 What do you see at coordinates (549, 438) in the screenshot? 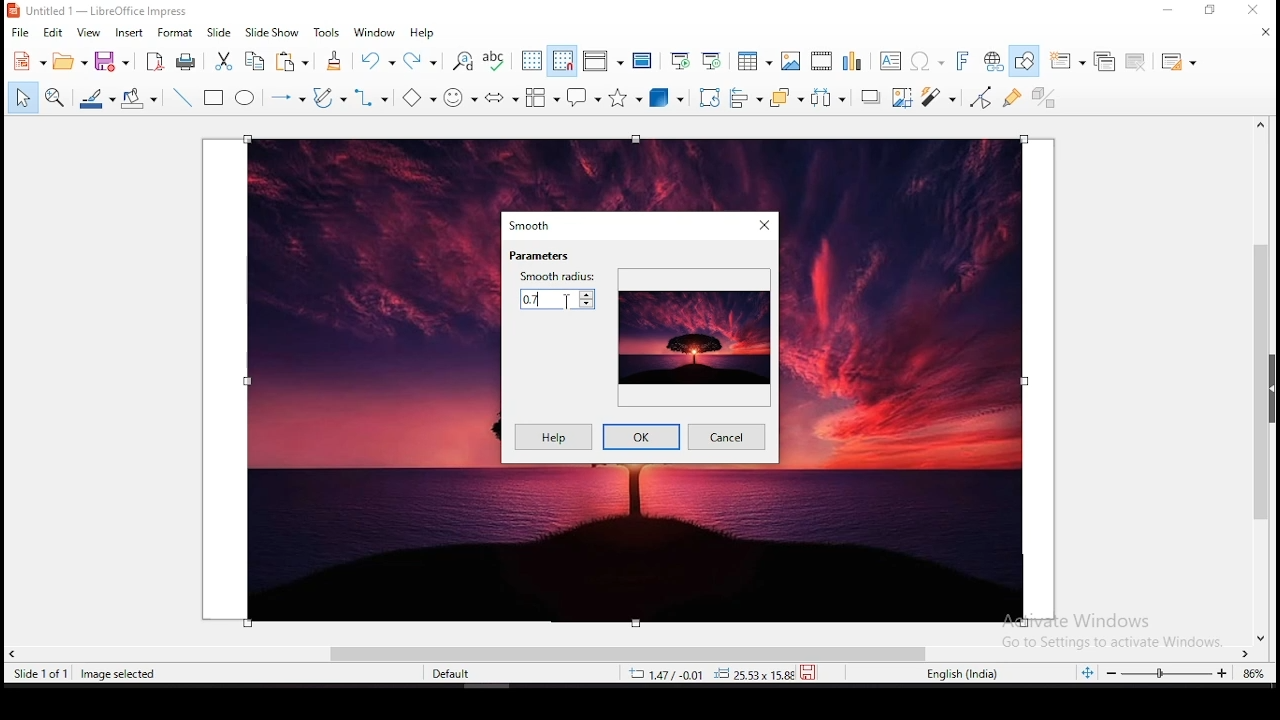
I see `help` at bounding box center [549, 438].